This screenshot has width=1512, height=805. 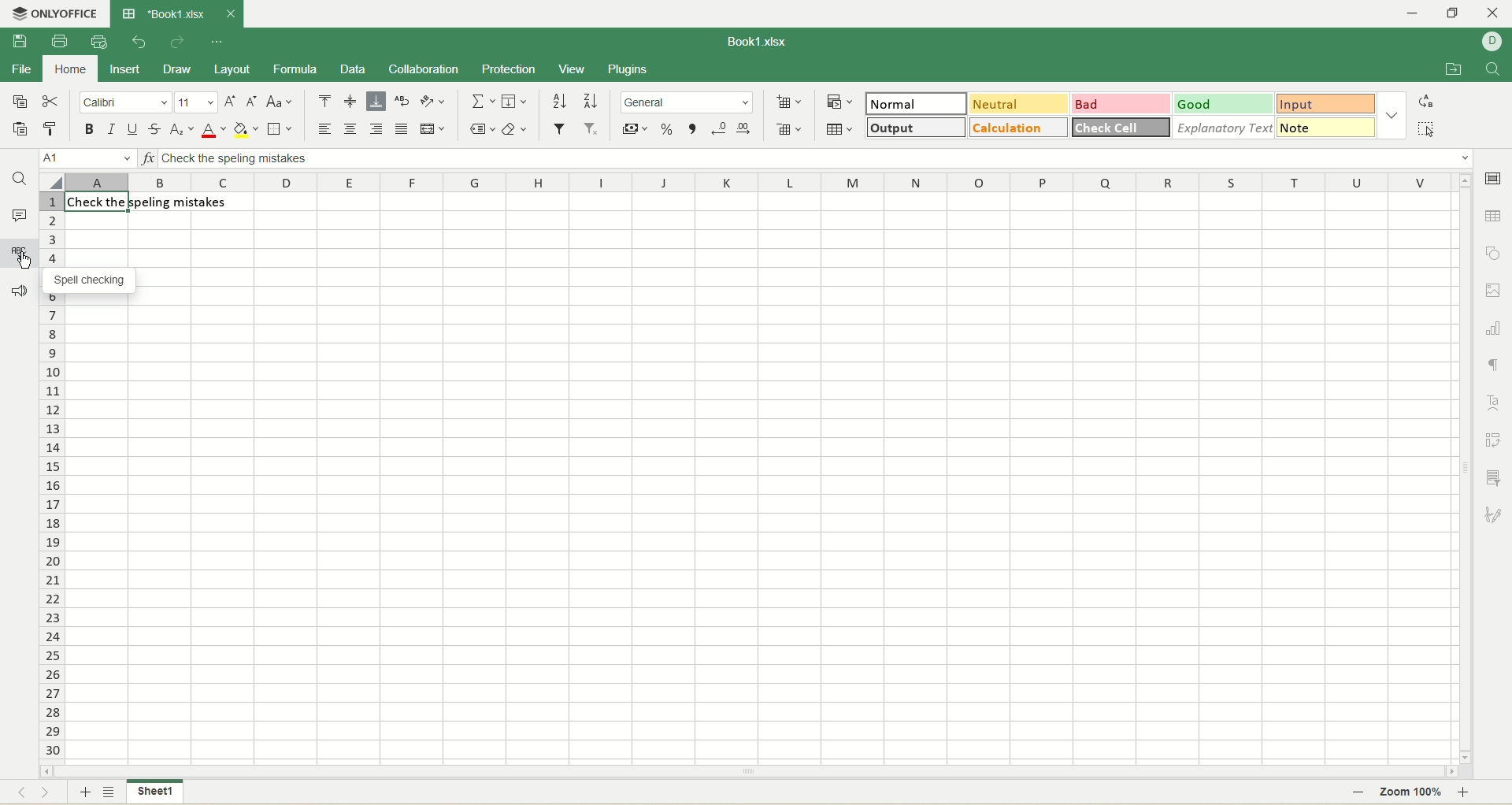 I want to click on wrap text, so click(x=404, y=101).